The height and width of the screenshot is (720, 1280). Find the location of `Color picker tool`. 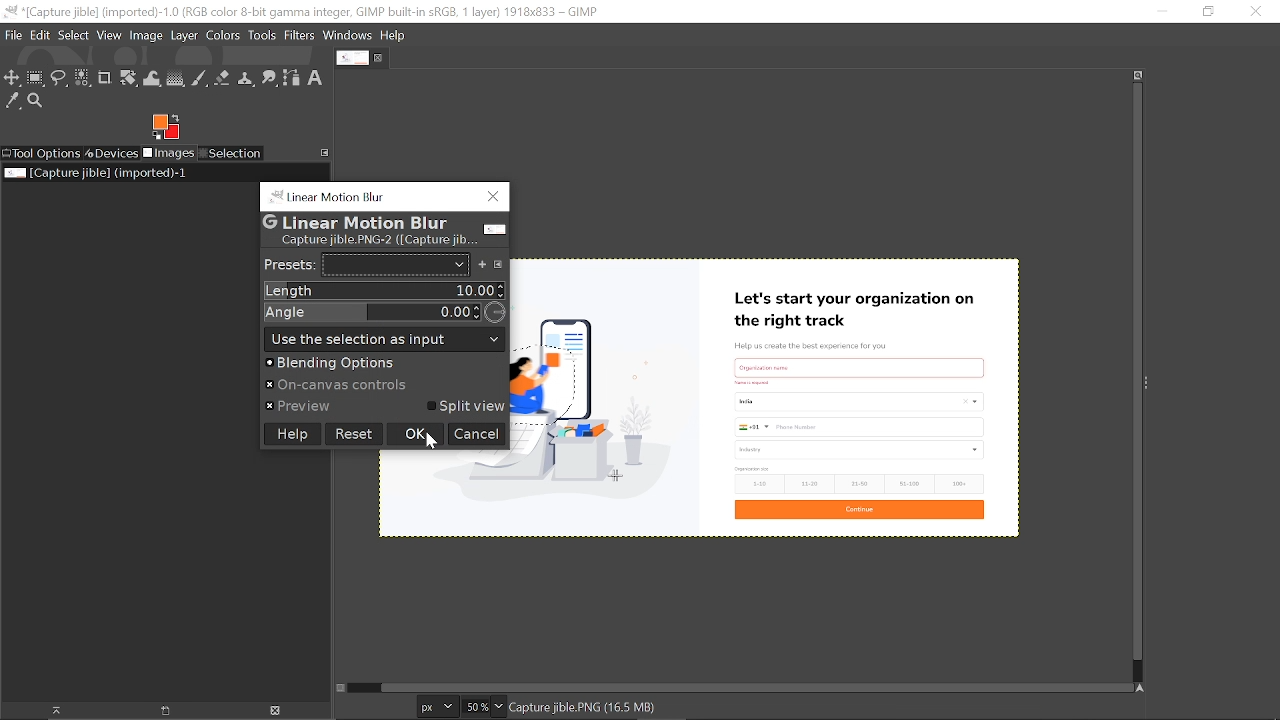

Color picker tool is located at coordinates (13, 102).